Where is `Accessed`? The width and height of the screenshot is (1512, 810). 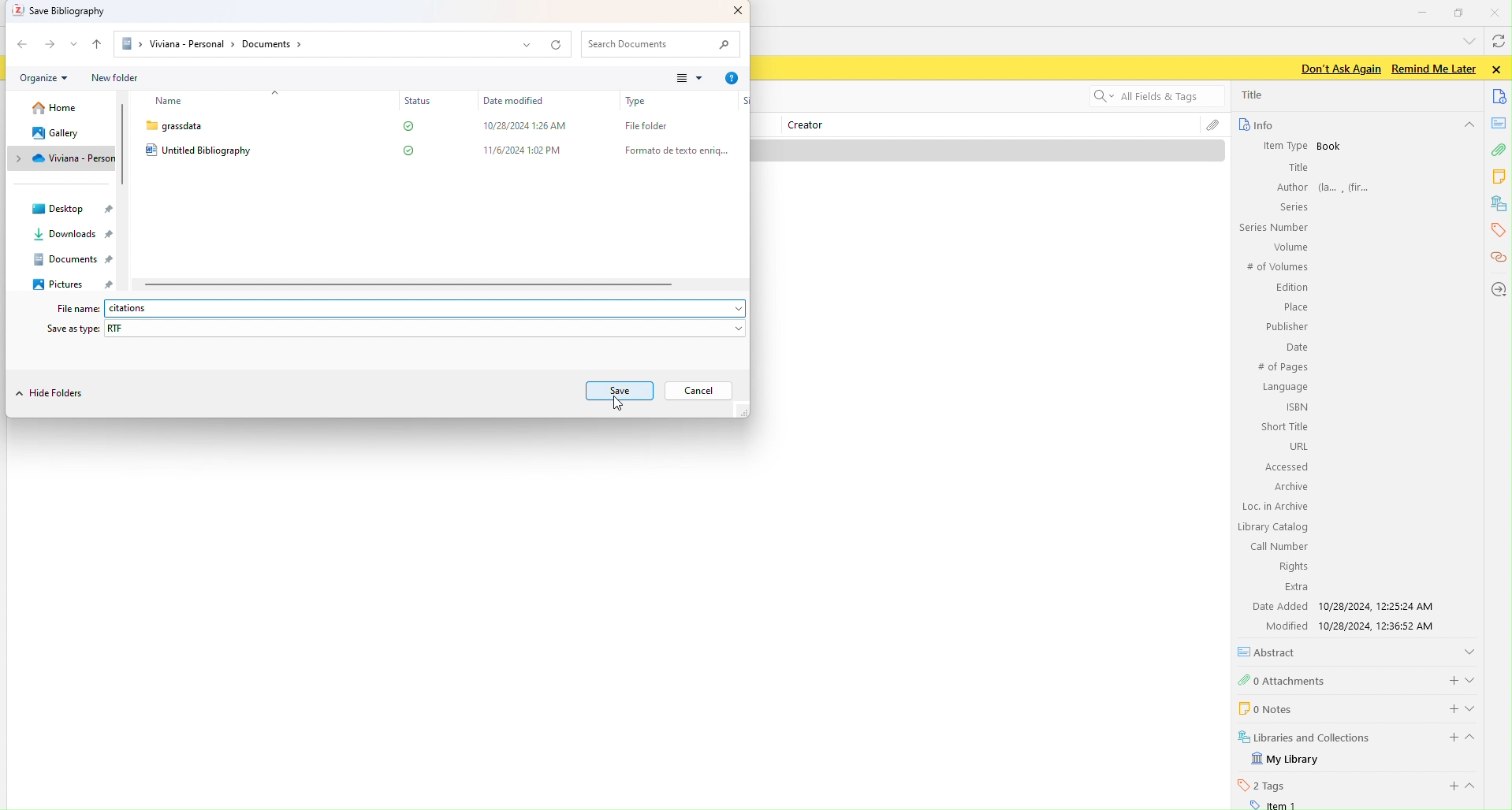 Accessed is located at coordinates (1286, 467).